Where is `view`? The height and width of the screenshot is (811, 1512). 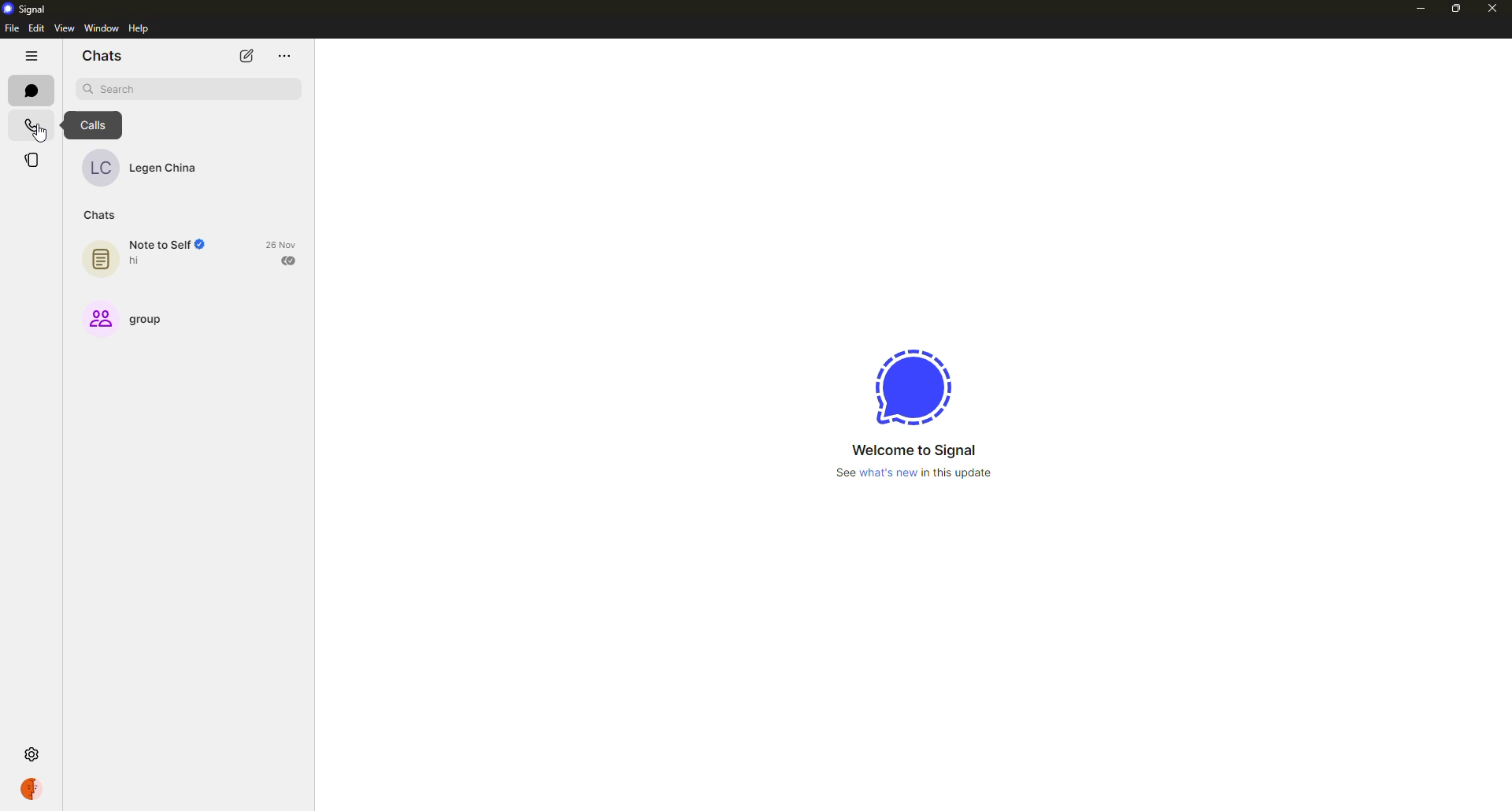
view is located at coordinates (65, 28).